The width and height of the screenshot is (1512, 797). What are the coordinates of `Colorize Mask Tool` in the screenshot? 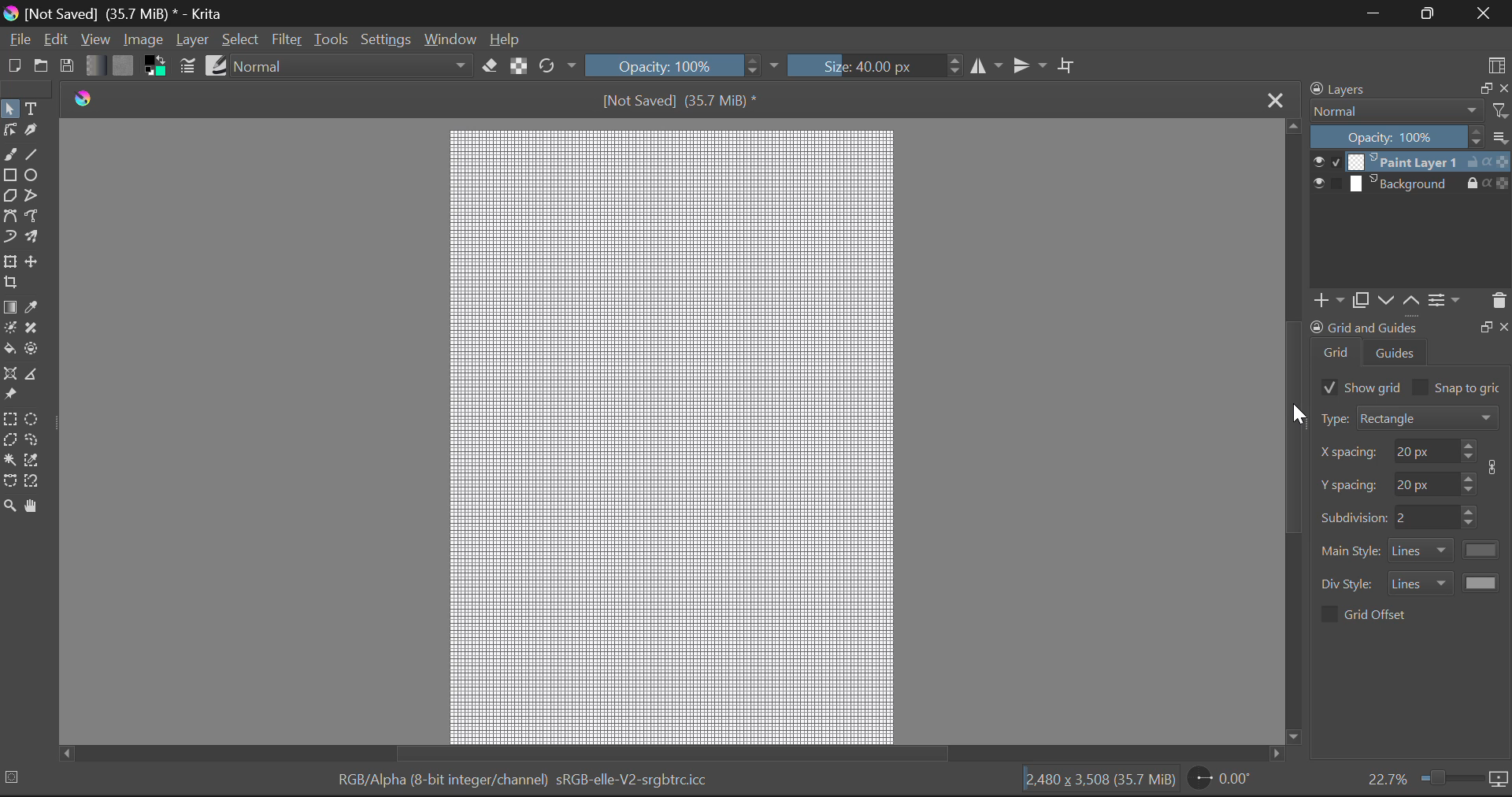 It's located at (9, 331).